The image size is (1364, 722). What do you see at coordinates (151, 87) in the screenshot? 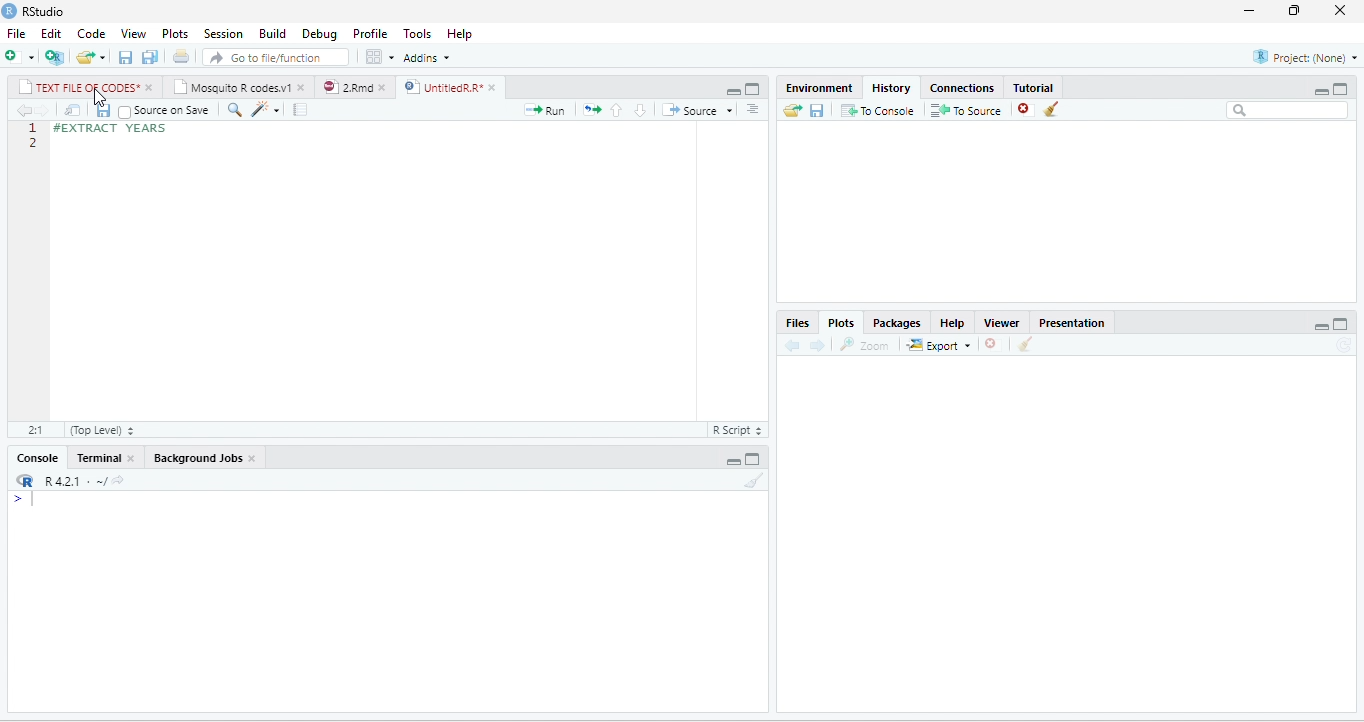
I see `close` at bounding box center [151, 87].